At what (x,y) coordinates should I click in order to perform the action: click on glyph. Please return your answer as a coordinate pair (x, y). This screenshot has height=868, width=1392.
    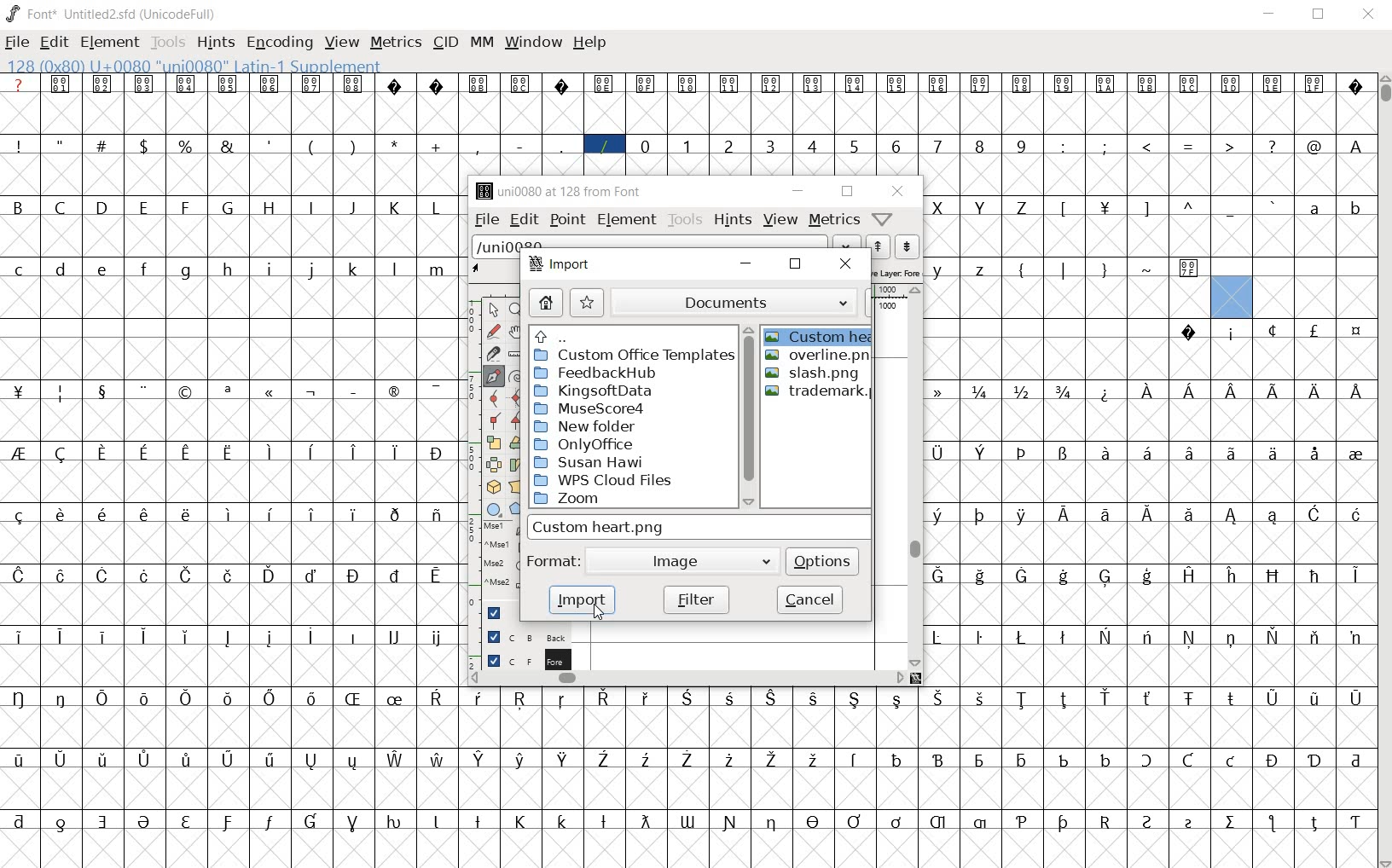
    Looking at the image, I should click on (103, 393).